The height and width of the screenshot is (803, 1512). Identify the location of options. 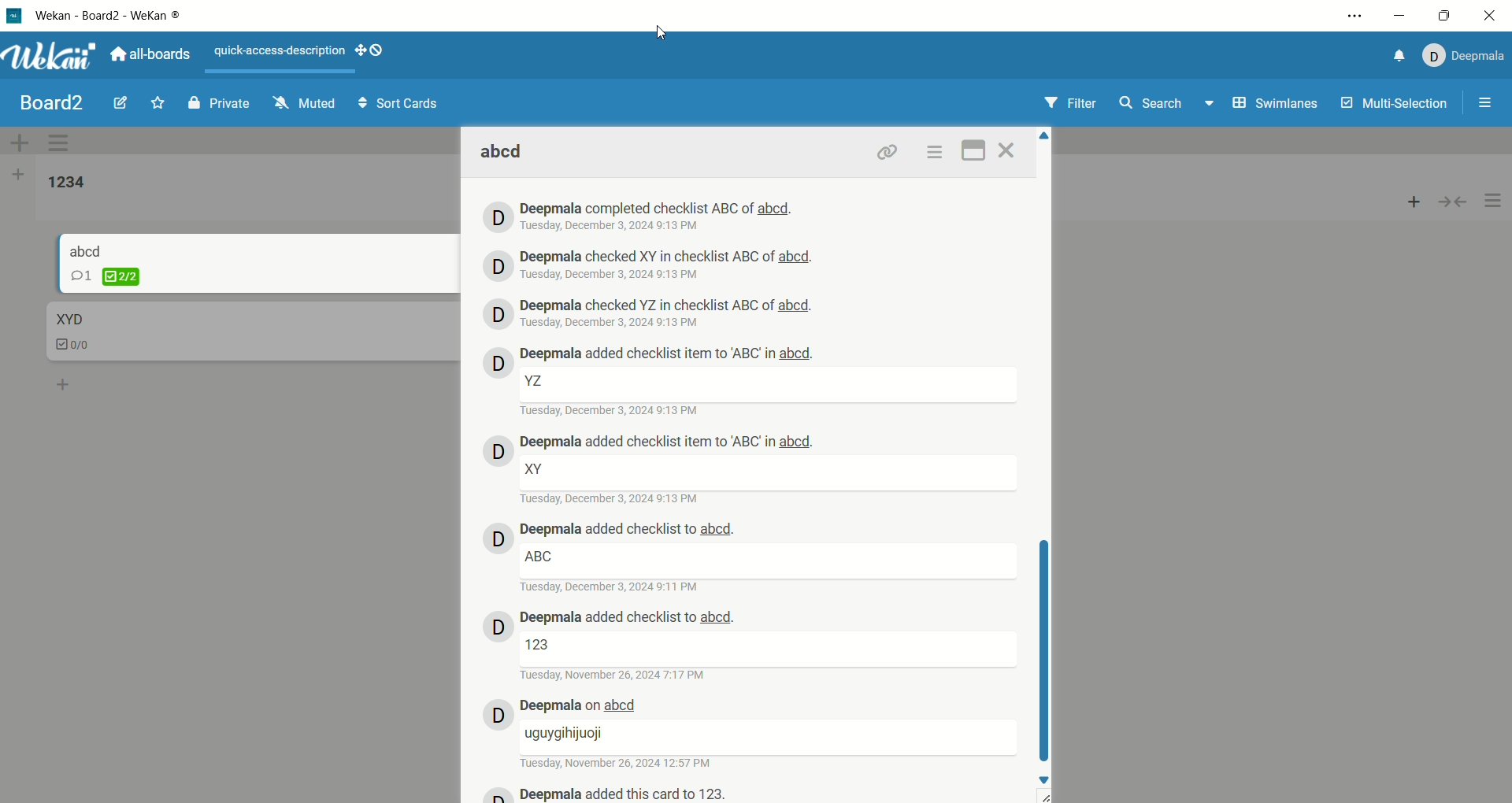
(934, 152).